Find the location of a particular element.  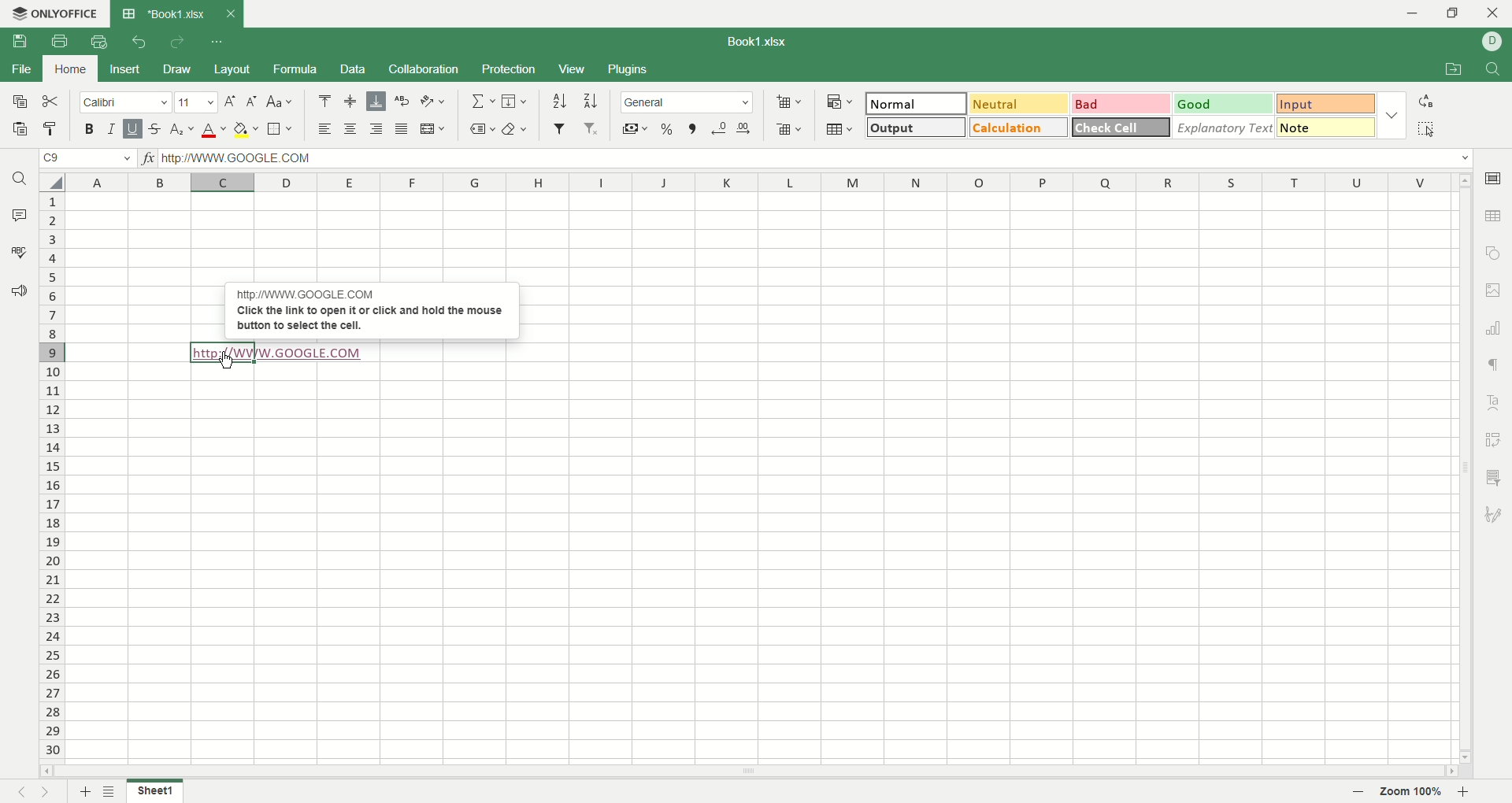

insert function is located at coordinates (149, 159).